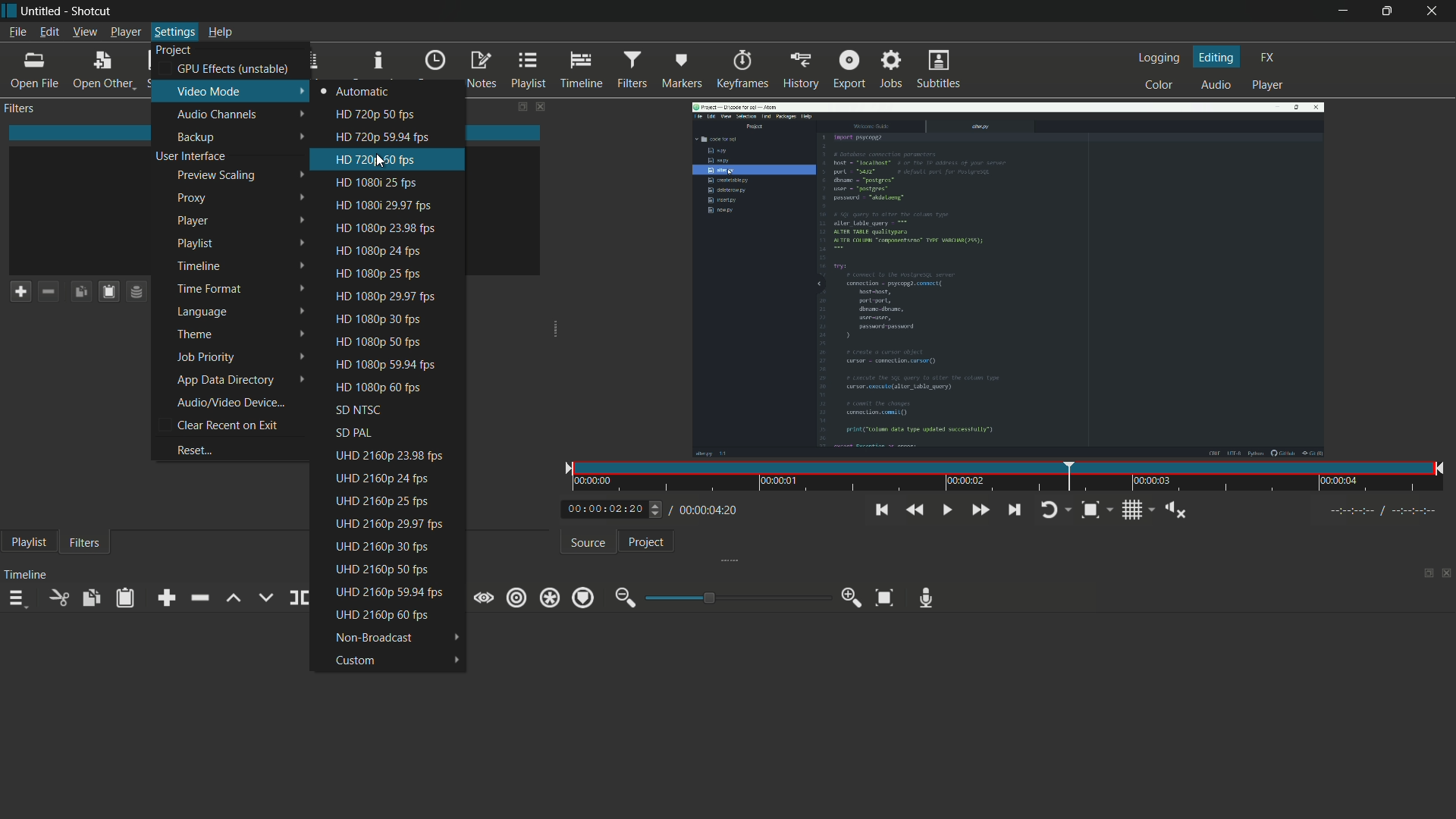 This screenshot has height=819, width=1456. I want to click on logging, so click(1158, 57).